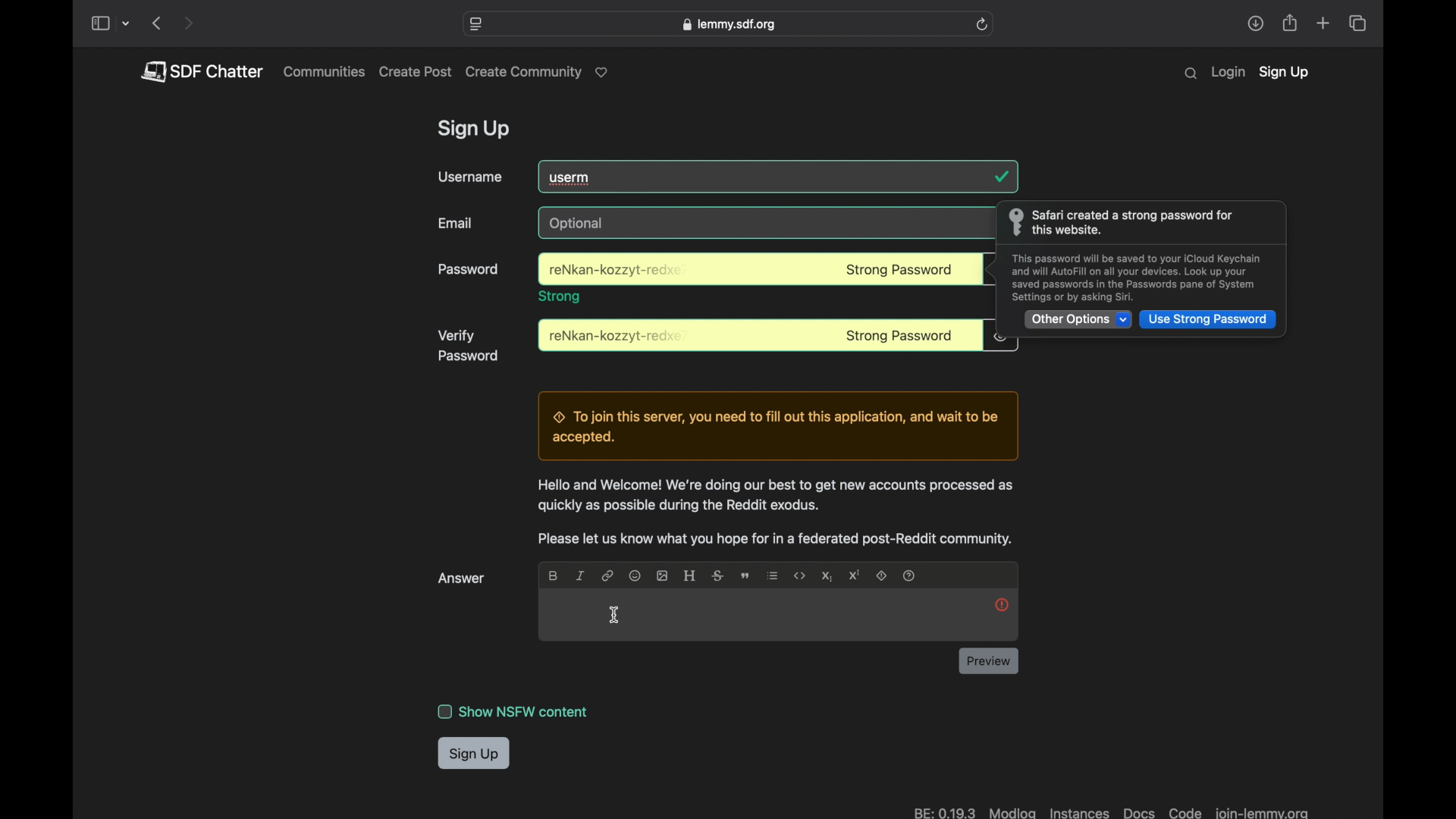 The width and height of the screenshot is (1456, 819). Describe the element at coordinates (1291, 24) in the screenshot. I see `share` at that location.